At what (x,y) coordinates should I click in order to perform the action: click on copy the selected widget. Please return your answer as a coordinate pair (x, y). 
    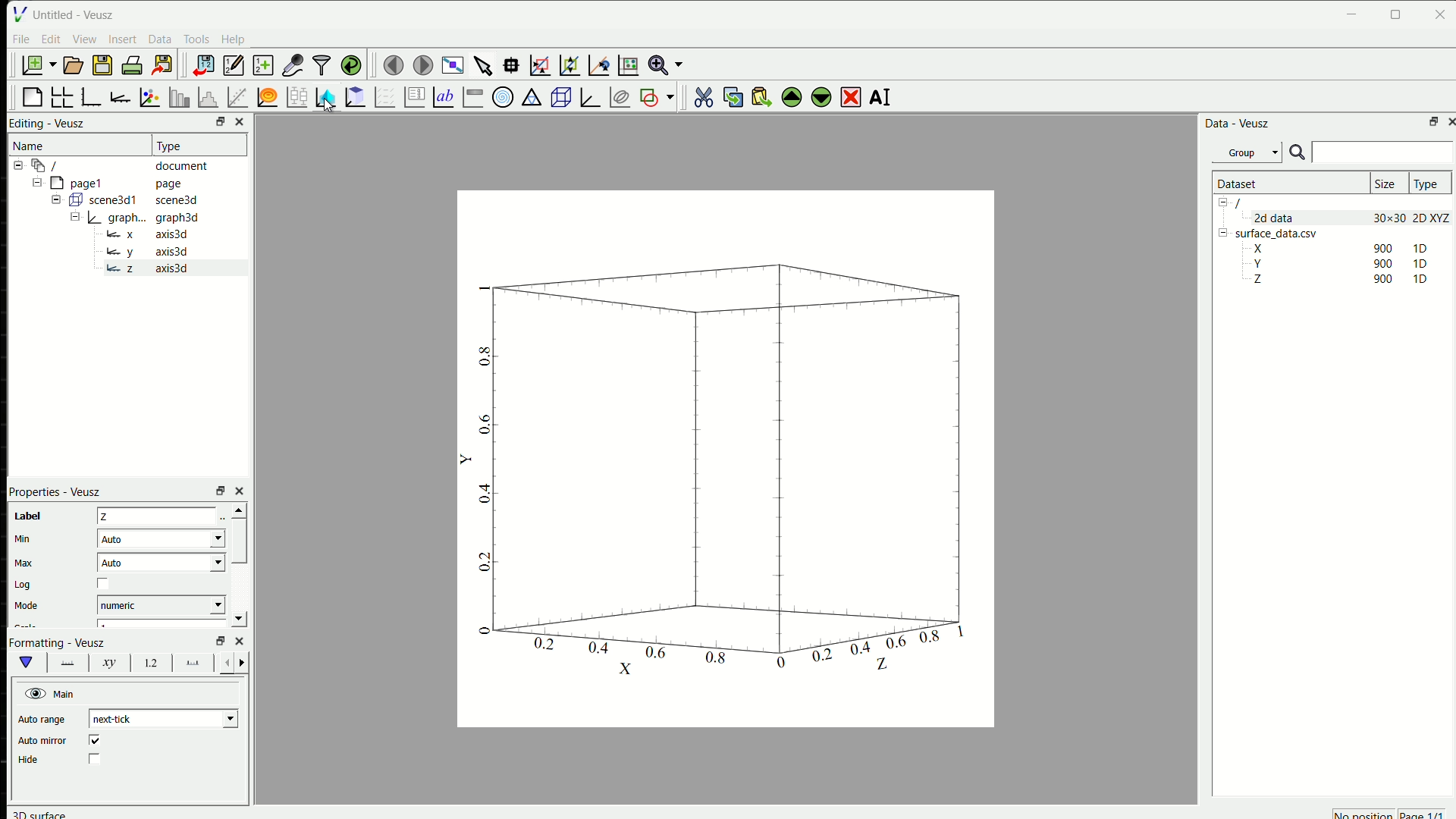
    Looking at the image, I should click on (734, 97).